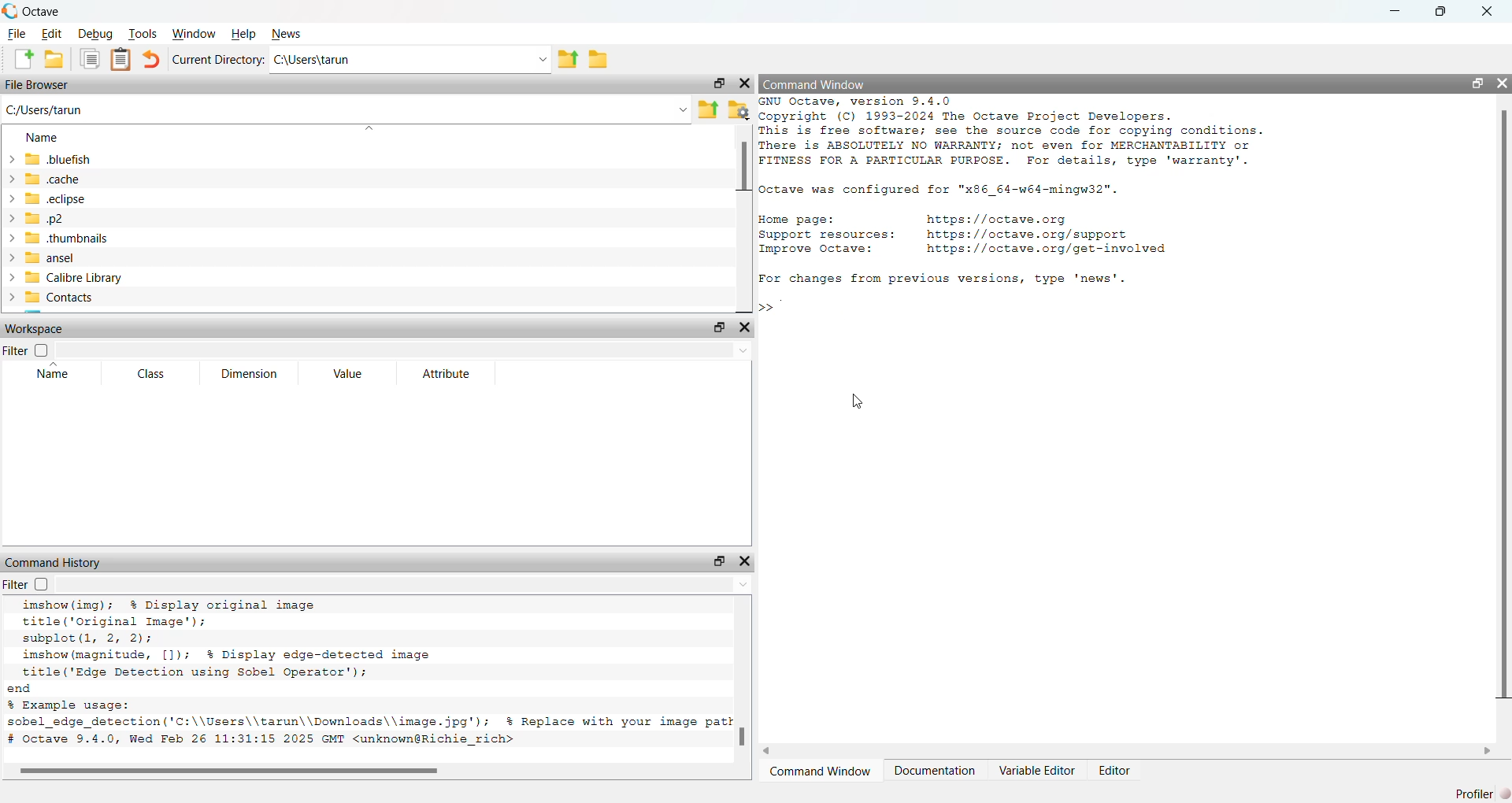 This screenshot has height=803, width=1512. Describe the element at coordinates (13, 352) in the screenshot. I see `Filter` at that location.